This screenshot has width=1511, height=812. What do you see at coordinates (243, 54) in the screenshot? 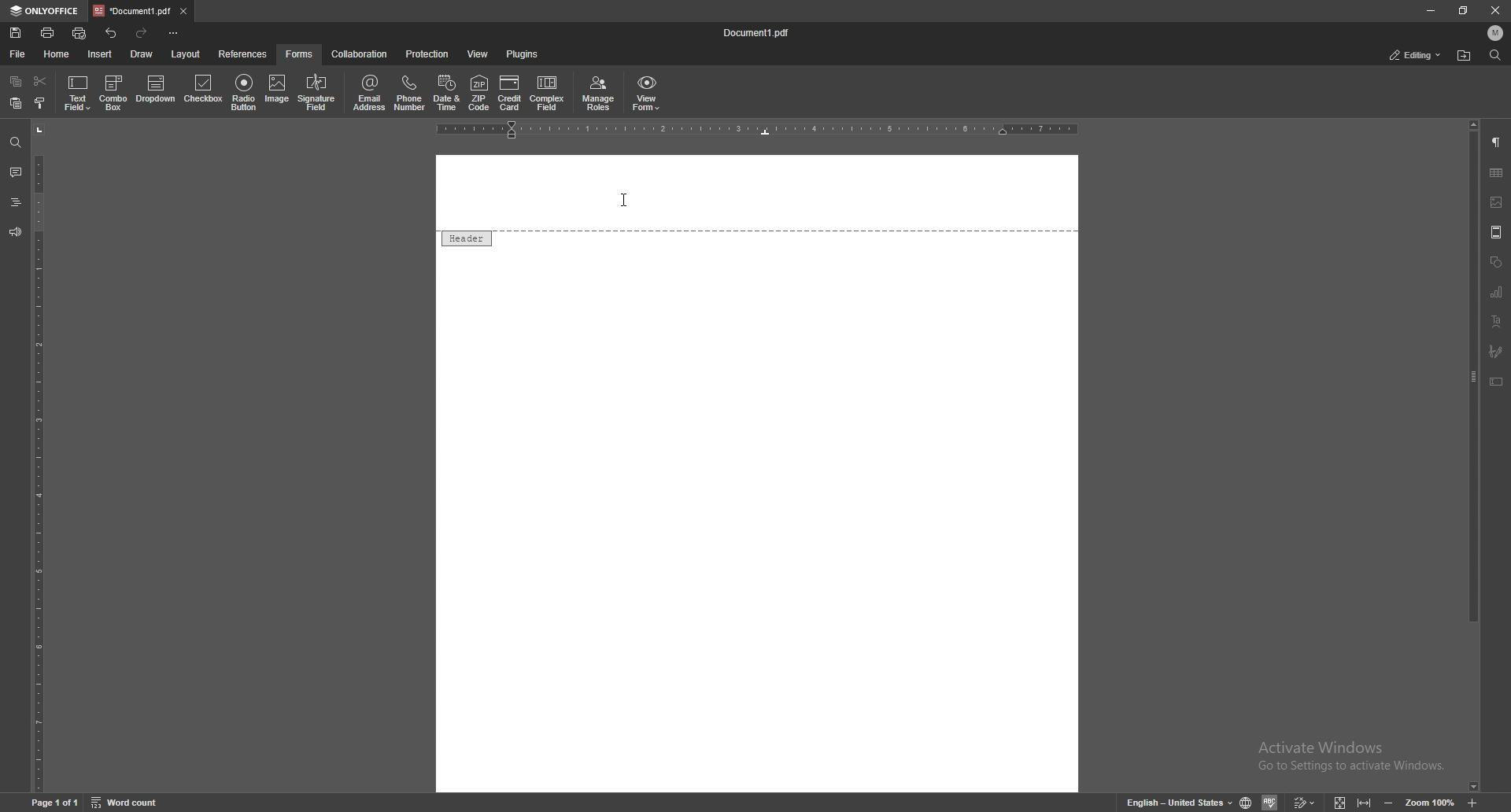
I see `references` at bounding box center [243, 54].